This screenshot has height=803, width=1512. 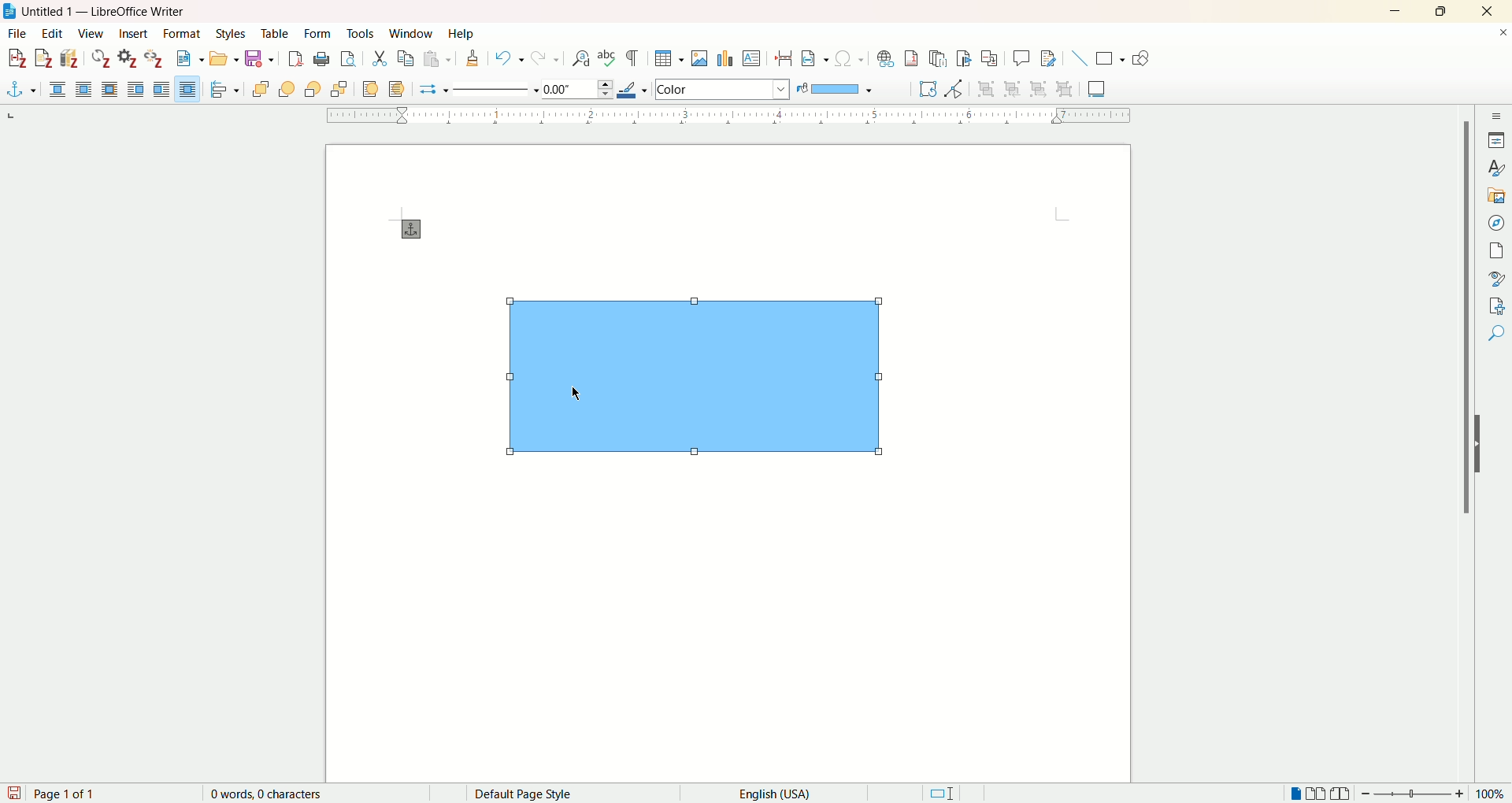 What do you see at coordinates (53, 34) in the screenshot?
I see `edit` at bounding box center [53, 34].